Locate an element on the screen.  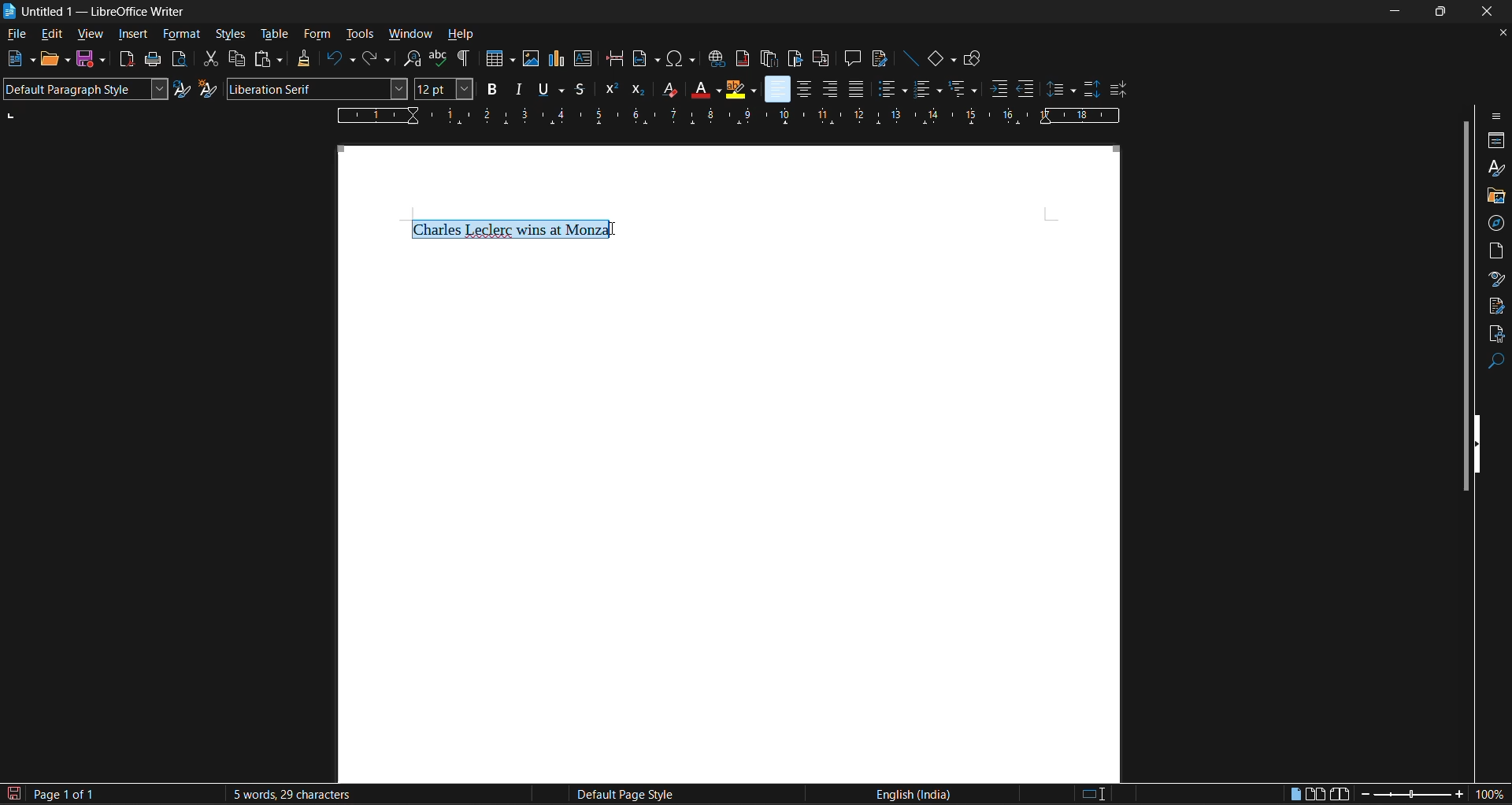
paste is located at coordinates (269, 59).